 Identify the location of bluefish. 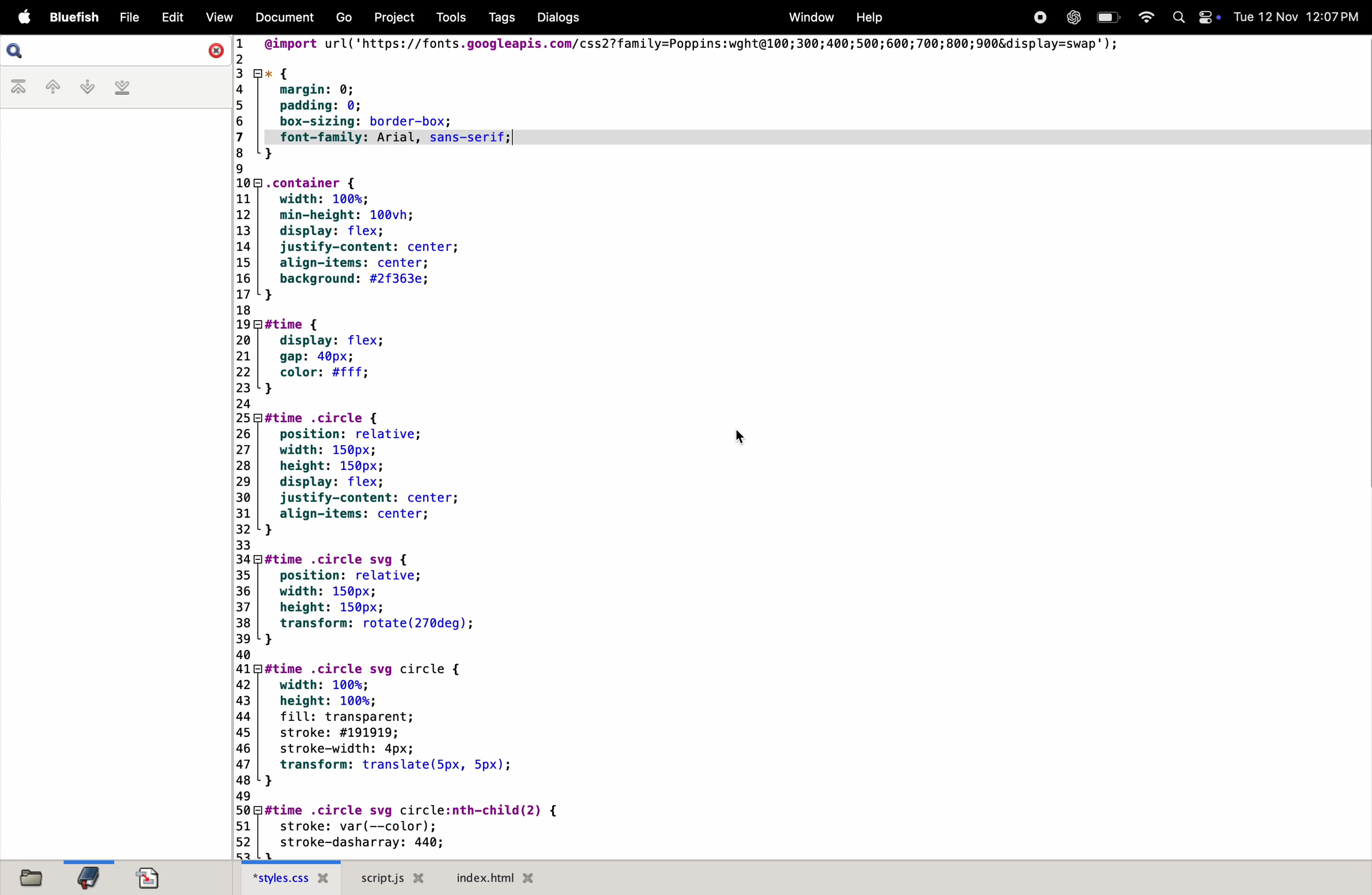
(77, 17).